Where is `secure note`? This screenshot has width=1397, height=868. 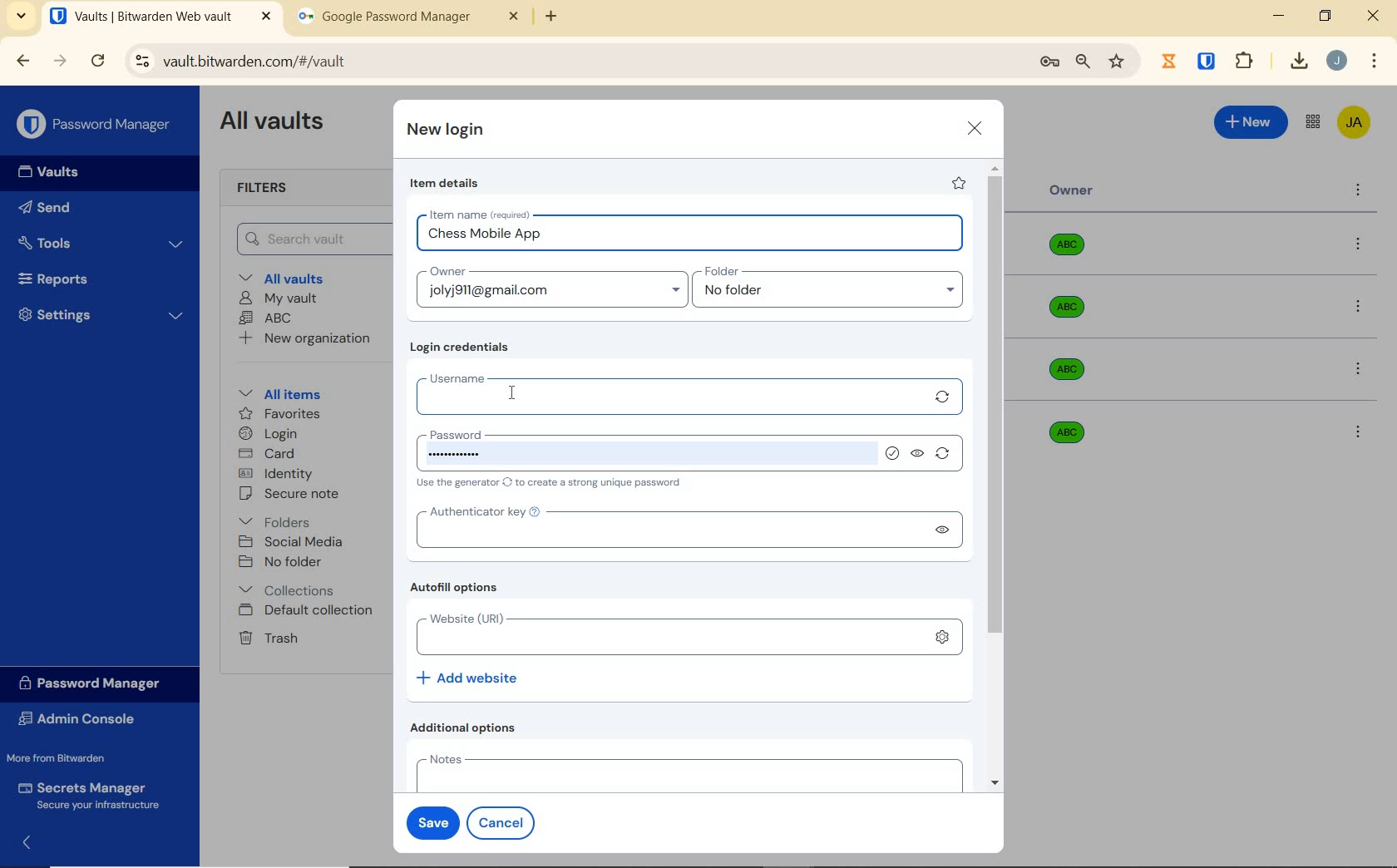 secure note is located at coordinates (294, 494).